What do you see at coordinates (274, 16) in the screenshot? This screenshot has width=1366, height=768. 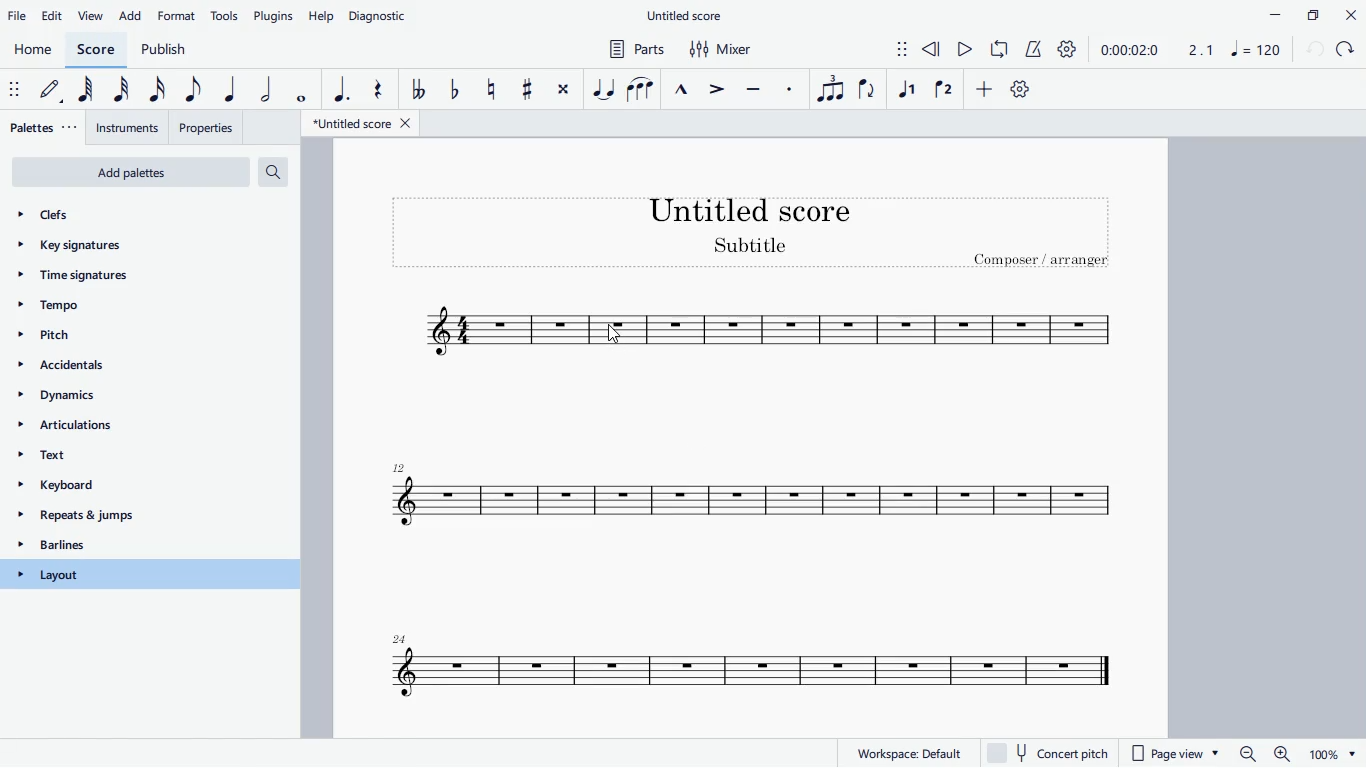 I see `plugins` at bounding box center [274, 16].